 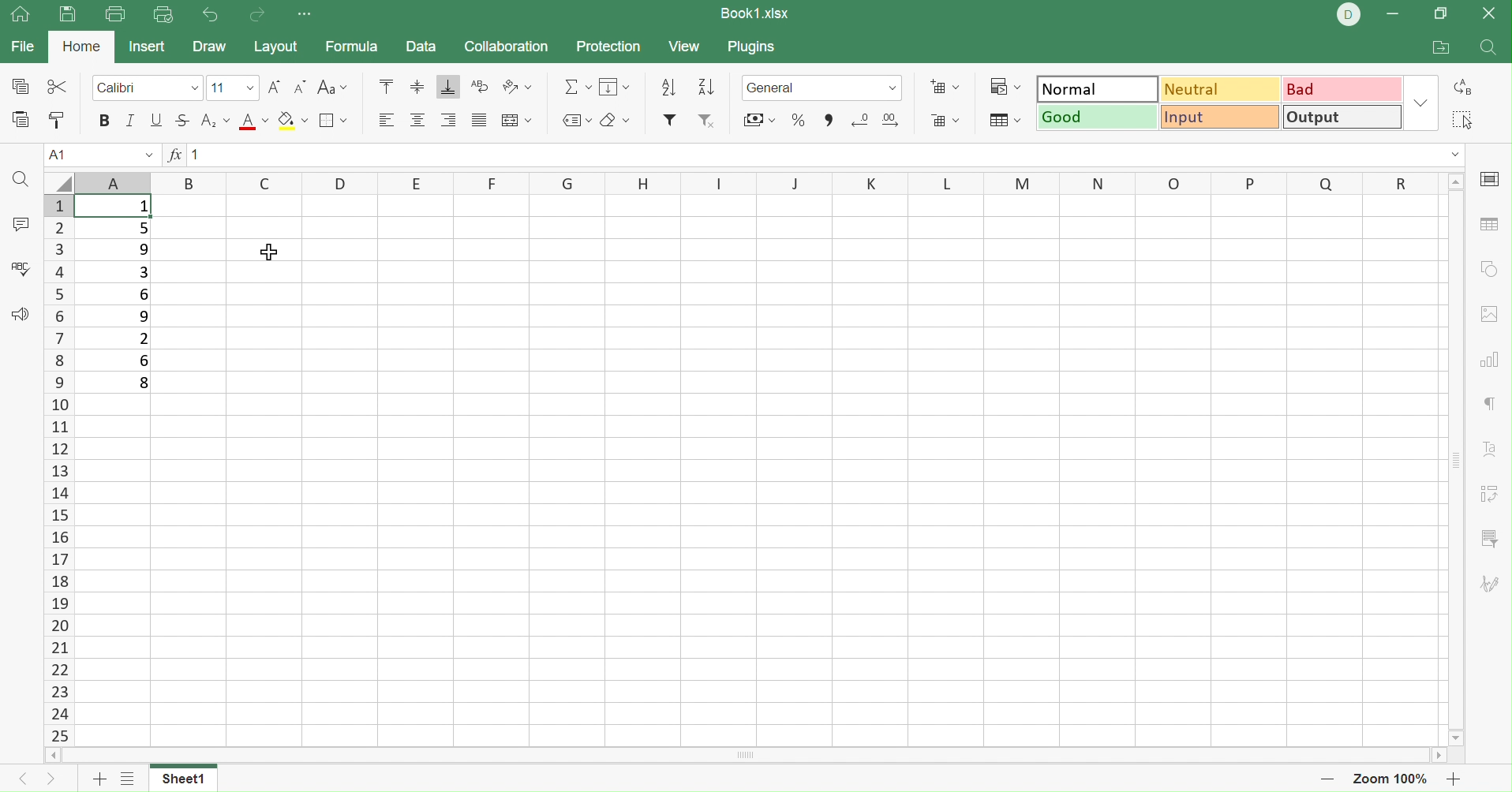 What do you see at coordinates (148, 89) in the screenshot?
I see `Font` at bounding box center [148, 89].